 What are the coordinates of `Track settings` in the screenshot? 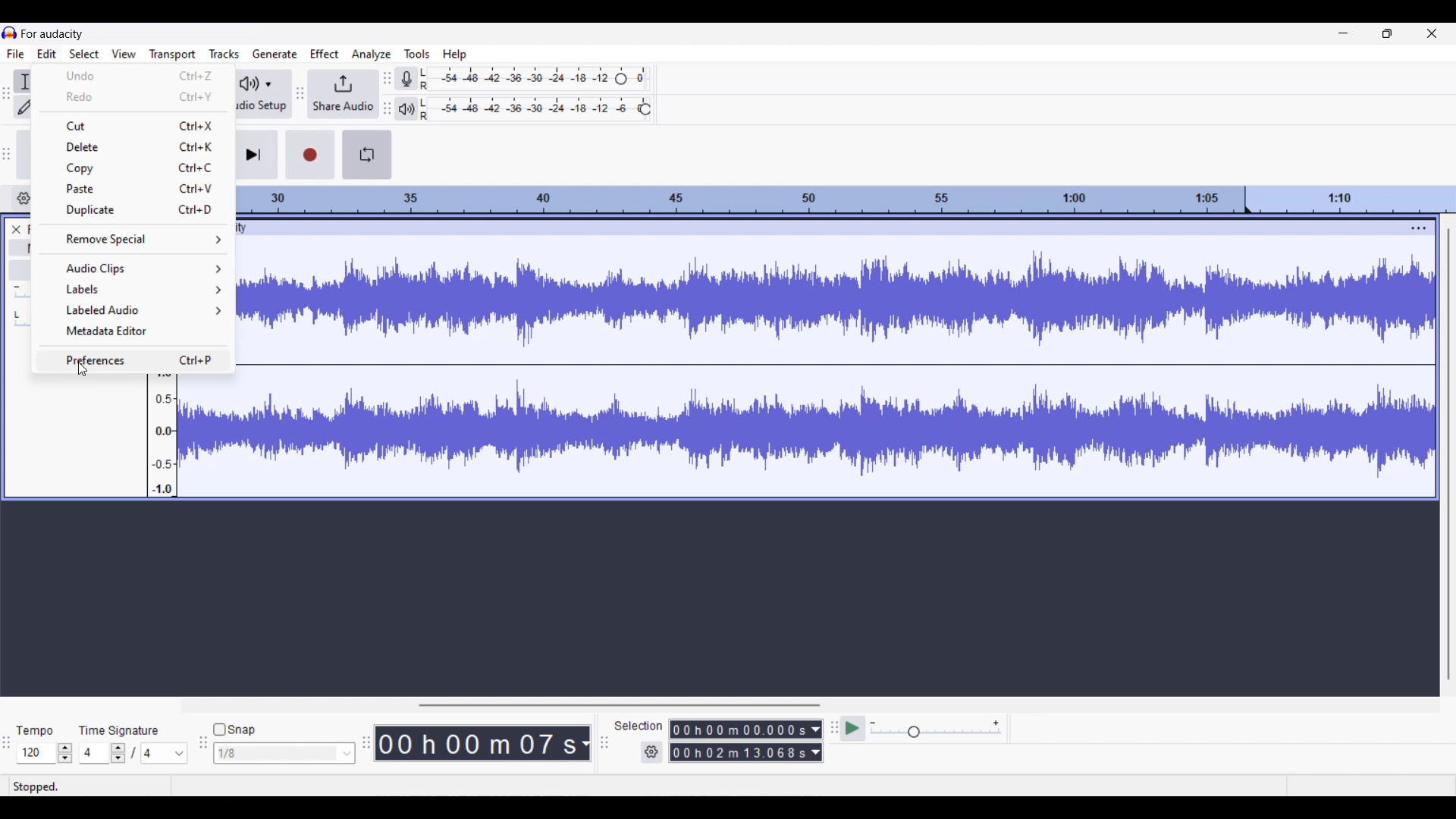 It's located at (1420, 227).